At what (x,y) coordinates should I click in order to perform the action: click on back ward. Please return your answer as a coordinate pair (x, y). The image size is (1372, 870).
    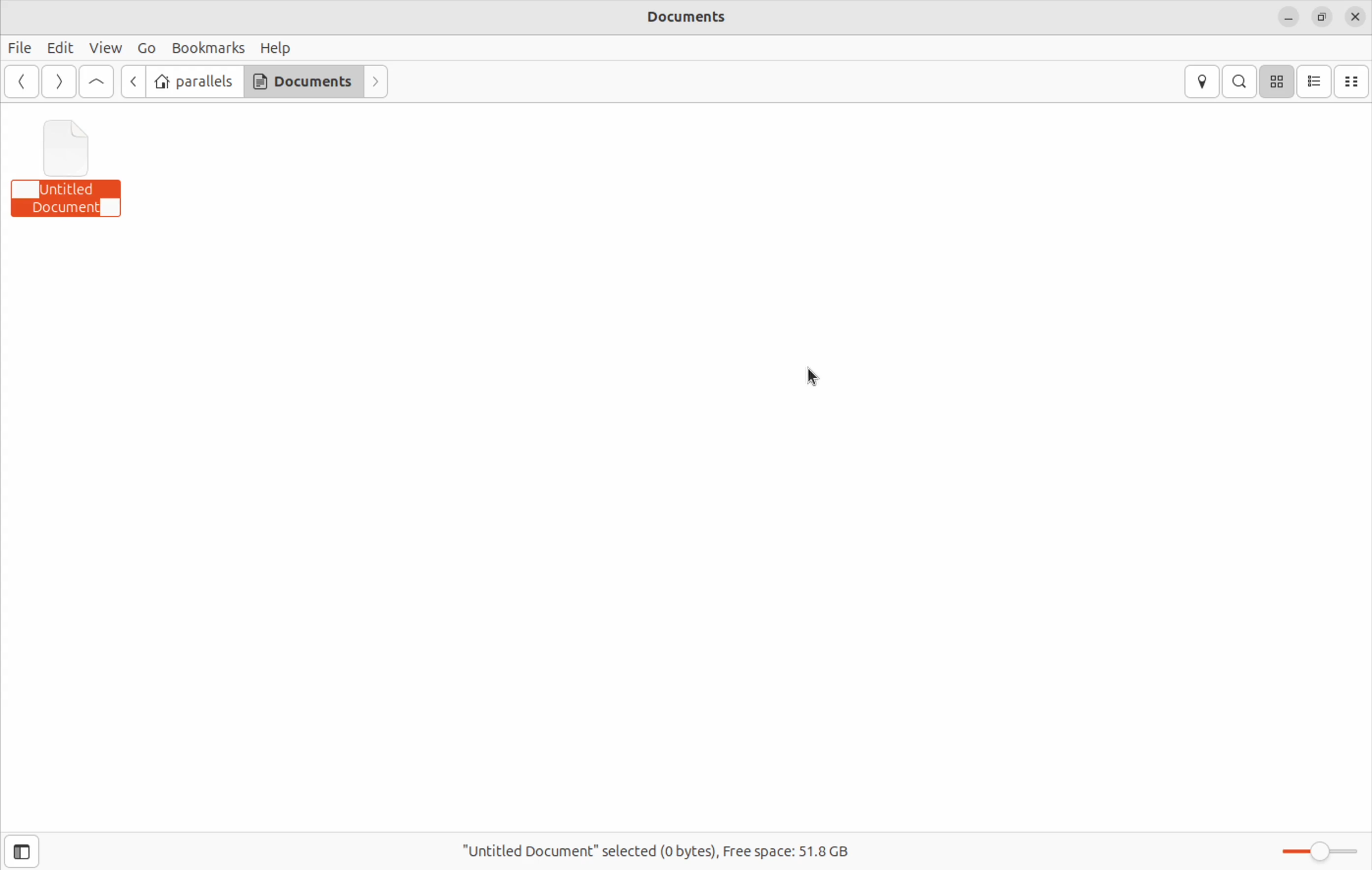
    Looking at the image, I should click on (23, 83).